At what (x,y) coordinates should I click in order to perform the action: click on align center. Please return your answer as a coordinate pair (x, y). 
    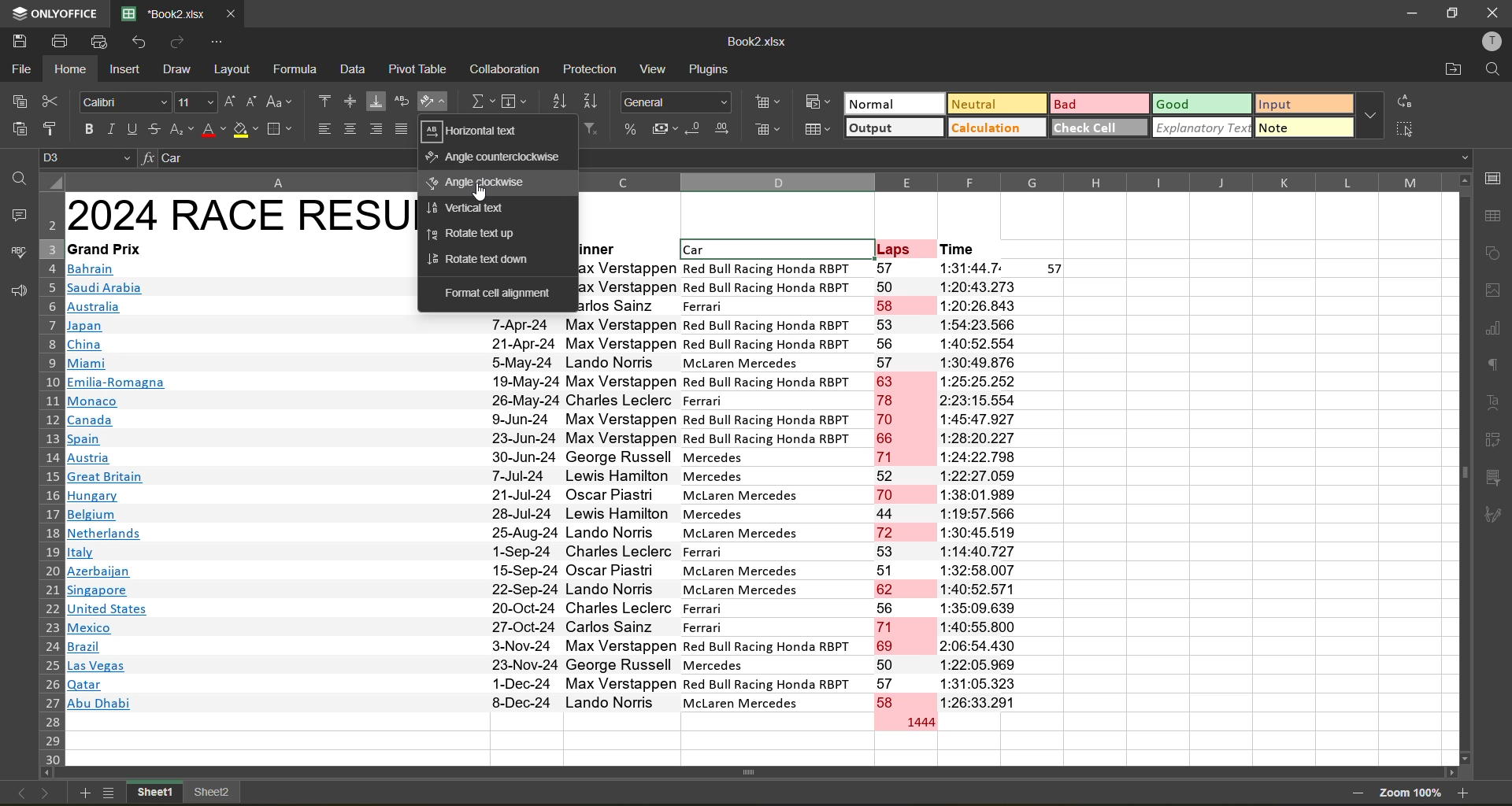
    Looking at the image, I should click on (350, 128).